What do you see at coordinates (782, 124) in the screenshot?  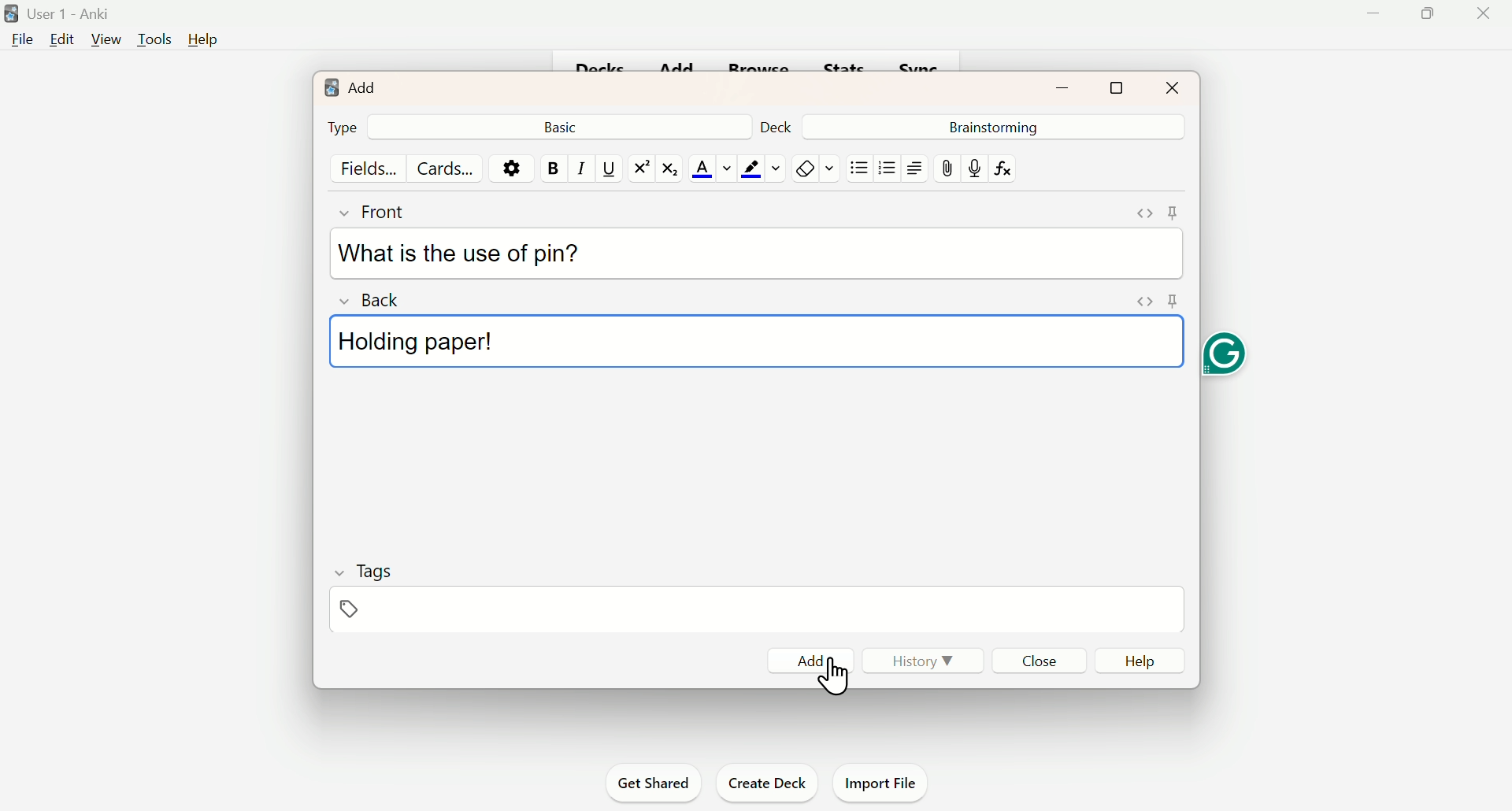 I see `Deck` at bounding box center [782, 124].